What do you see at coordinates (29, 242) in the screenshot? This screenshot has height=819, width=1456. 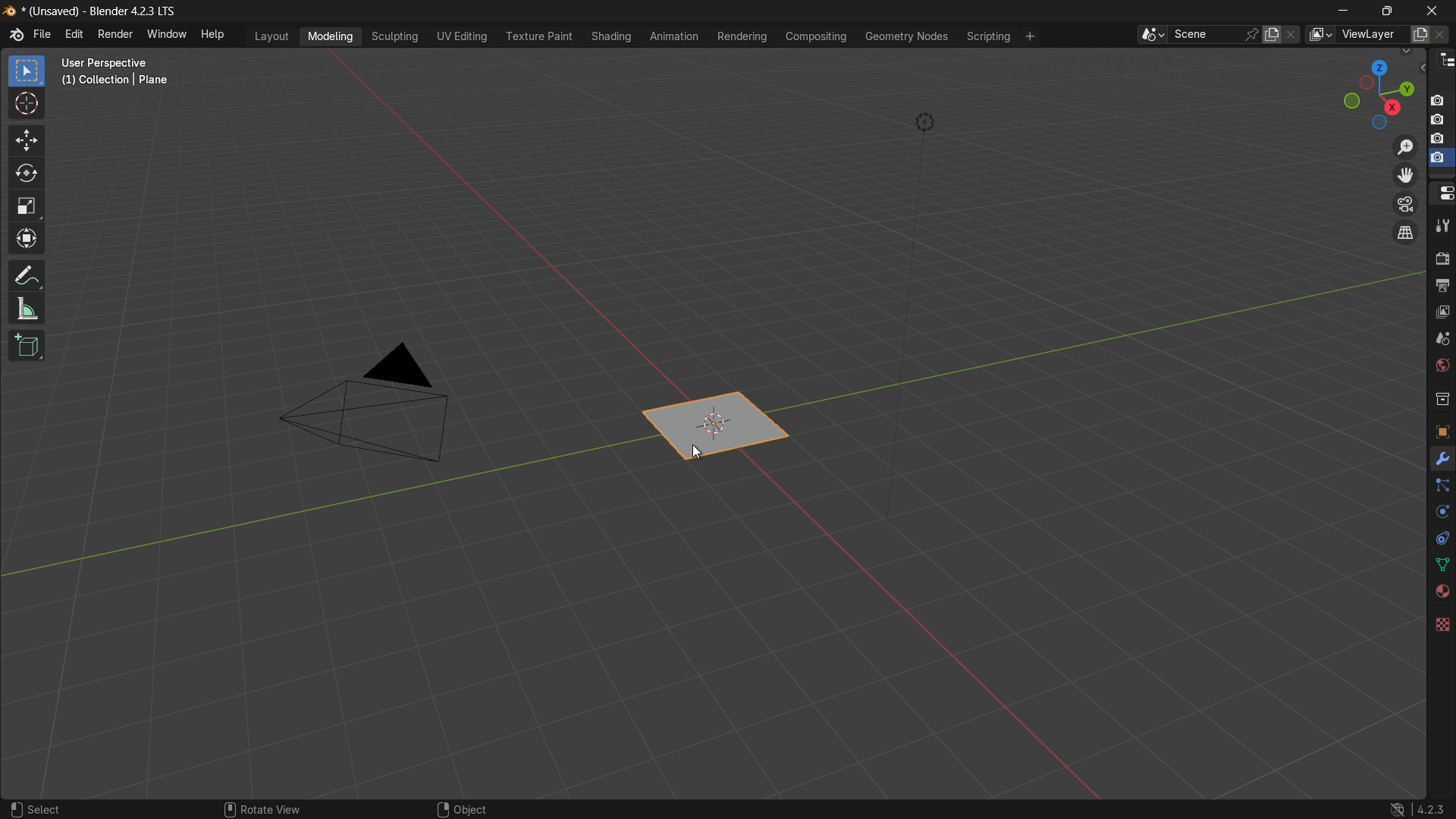 I see `transform` at bounding box center [29, 242].